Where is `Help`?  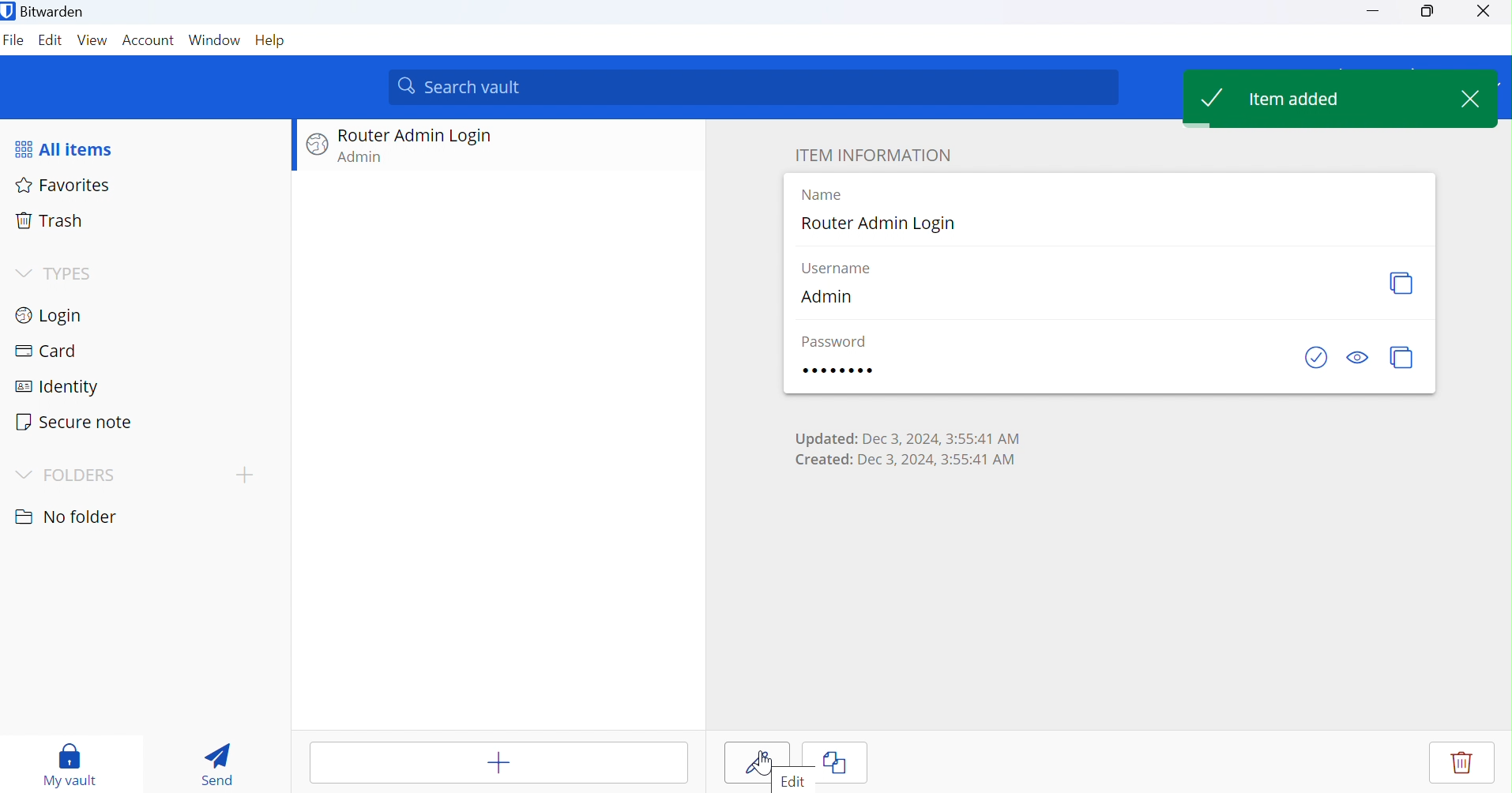 Help is located at coordinates (273, 41).